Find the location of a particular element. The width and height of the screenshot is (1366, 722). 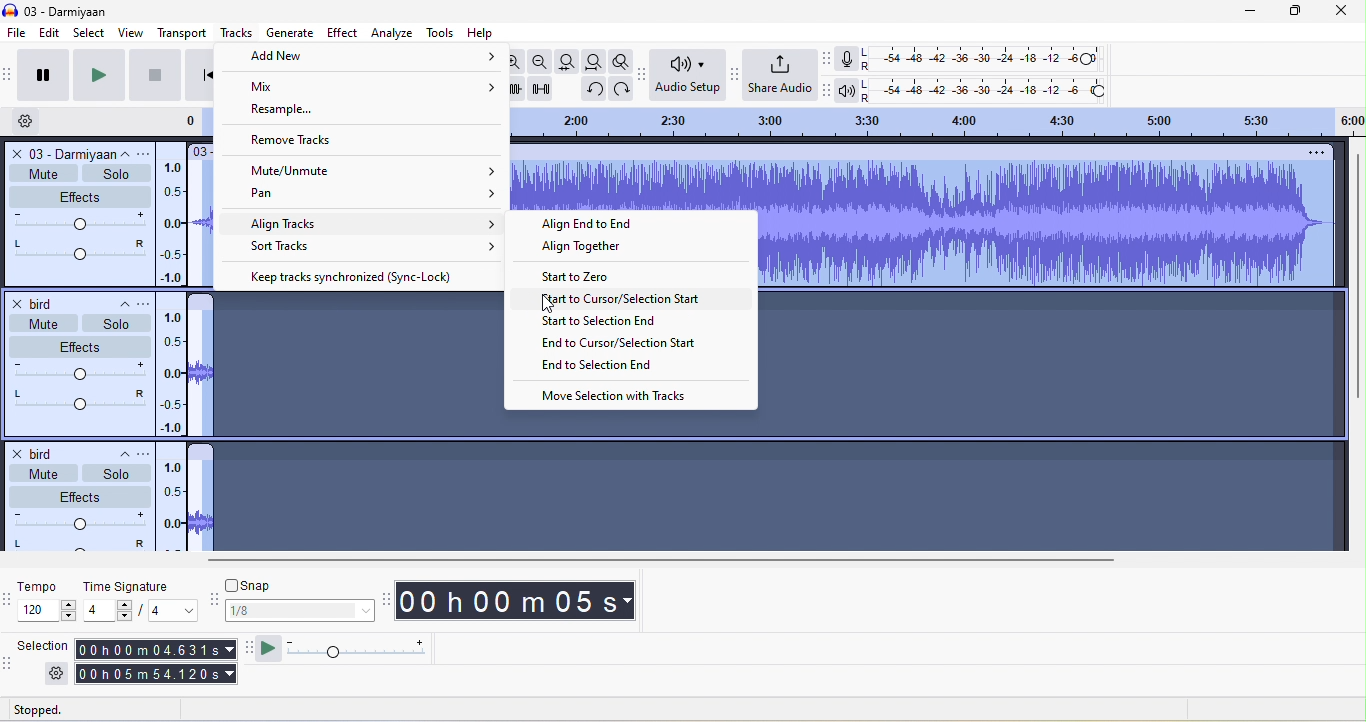

audacity share audio is located at coordinates (735, 75).